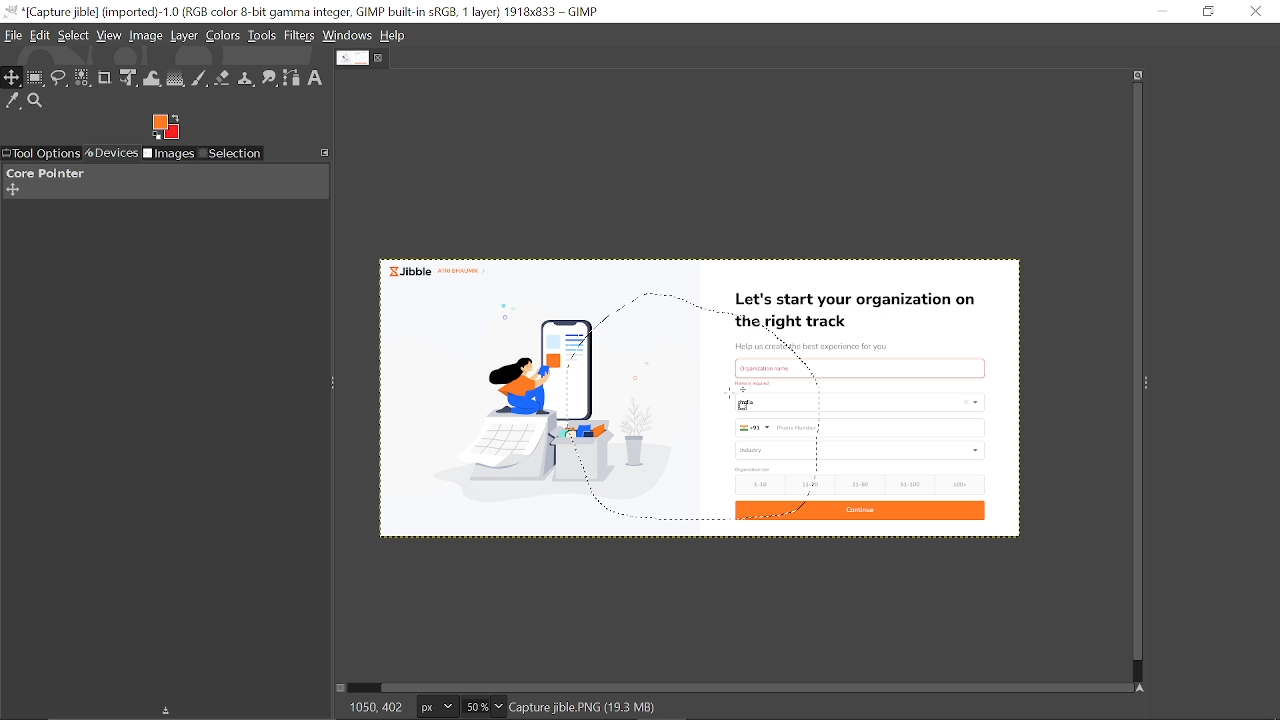  What do you see at coordinates (549, 409) in the screenshot?
I see `Selected part of the image ` at bounding box center [549, 409].